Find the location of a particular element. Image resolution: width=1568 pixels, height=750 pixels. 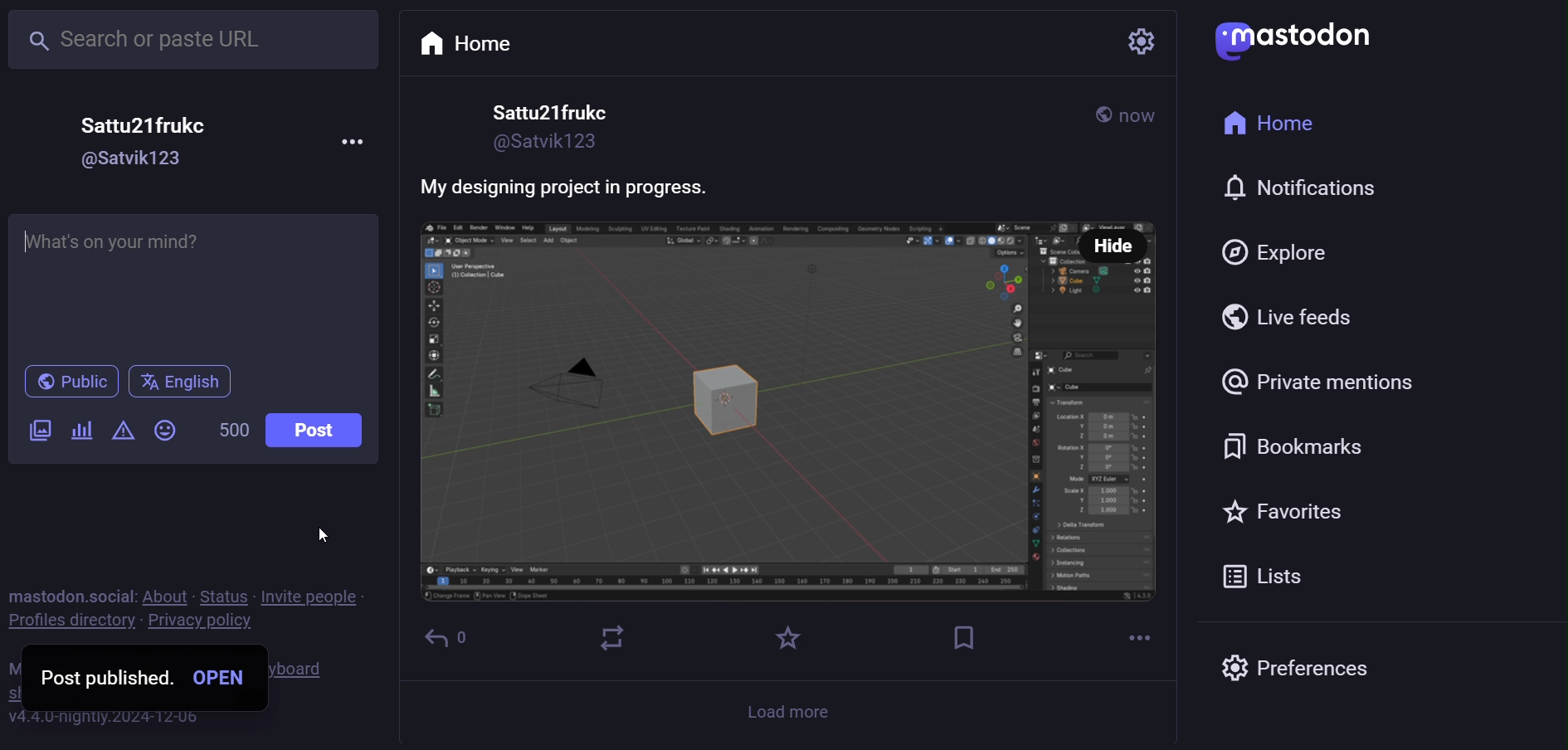

mastodon social is located at coordinates (67, 594).